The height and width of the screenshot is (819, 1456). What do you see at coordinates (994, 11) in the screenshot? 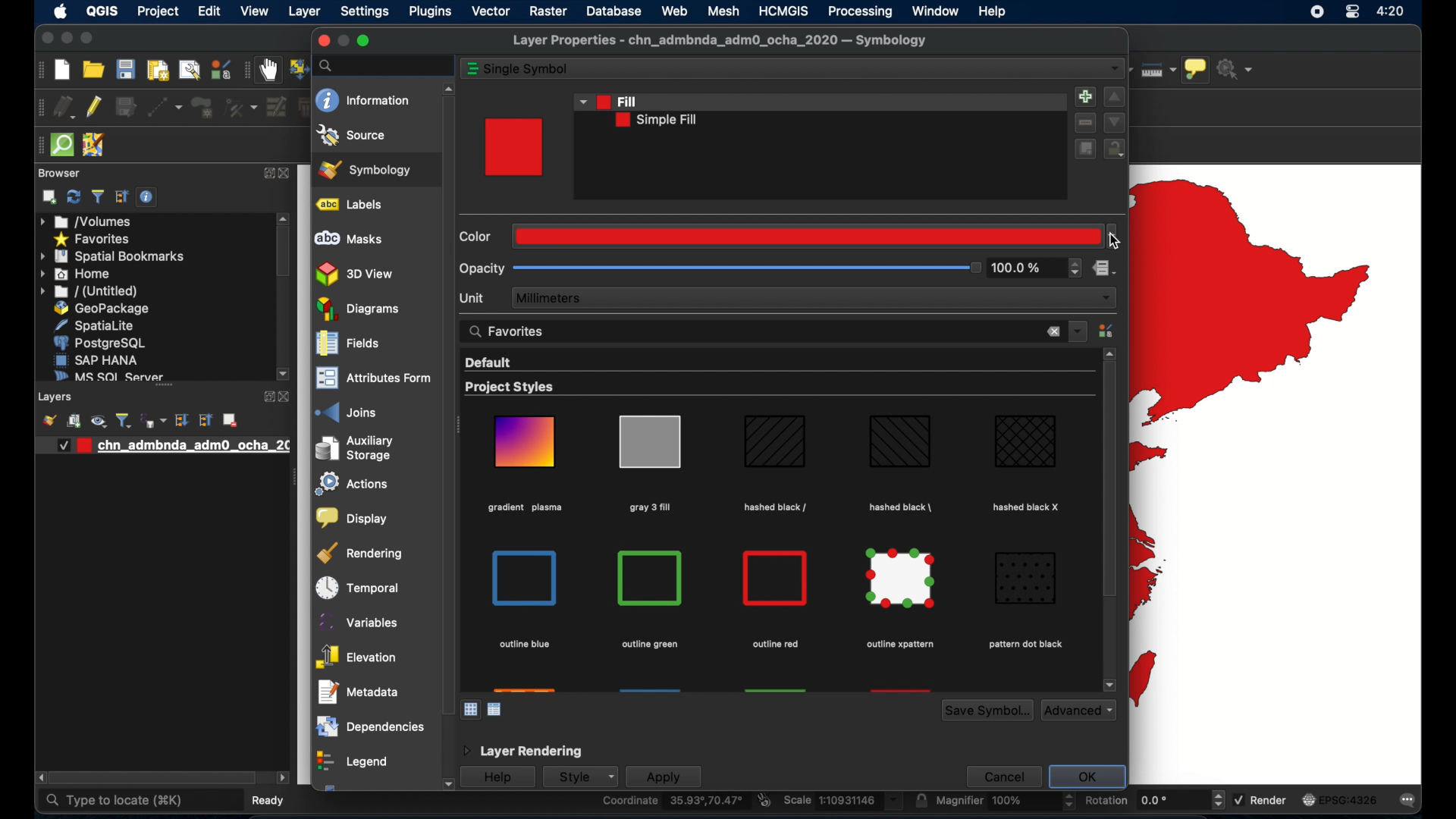
I see `help` at bounding box center [994, 11].